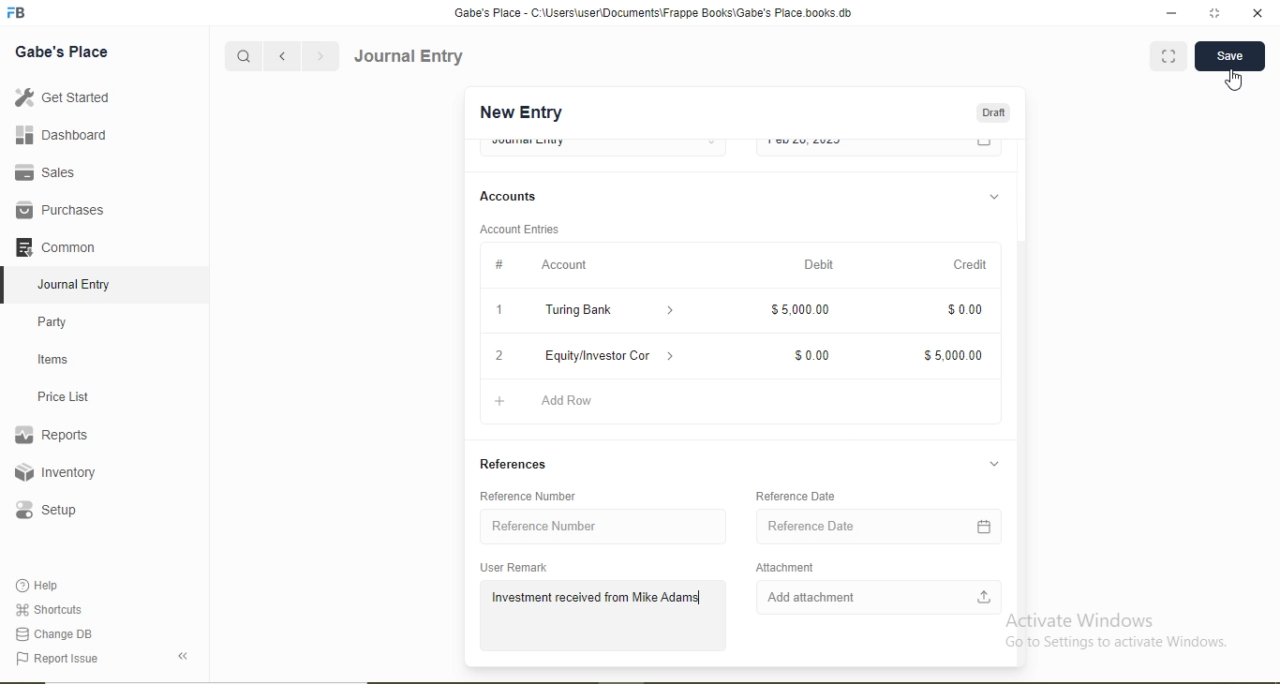  I want to click on Calendar, so click(985, 527).